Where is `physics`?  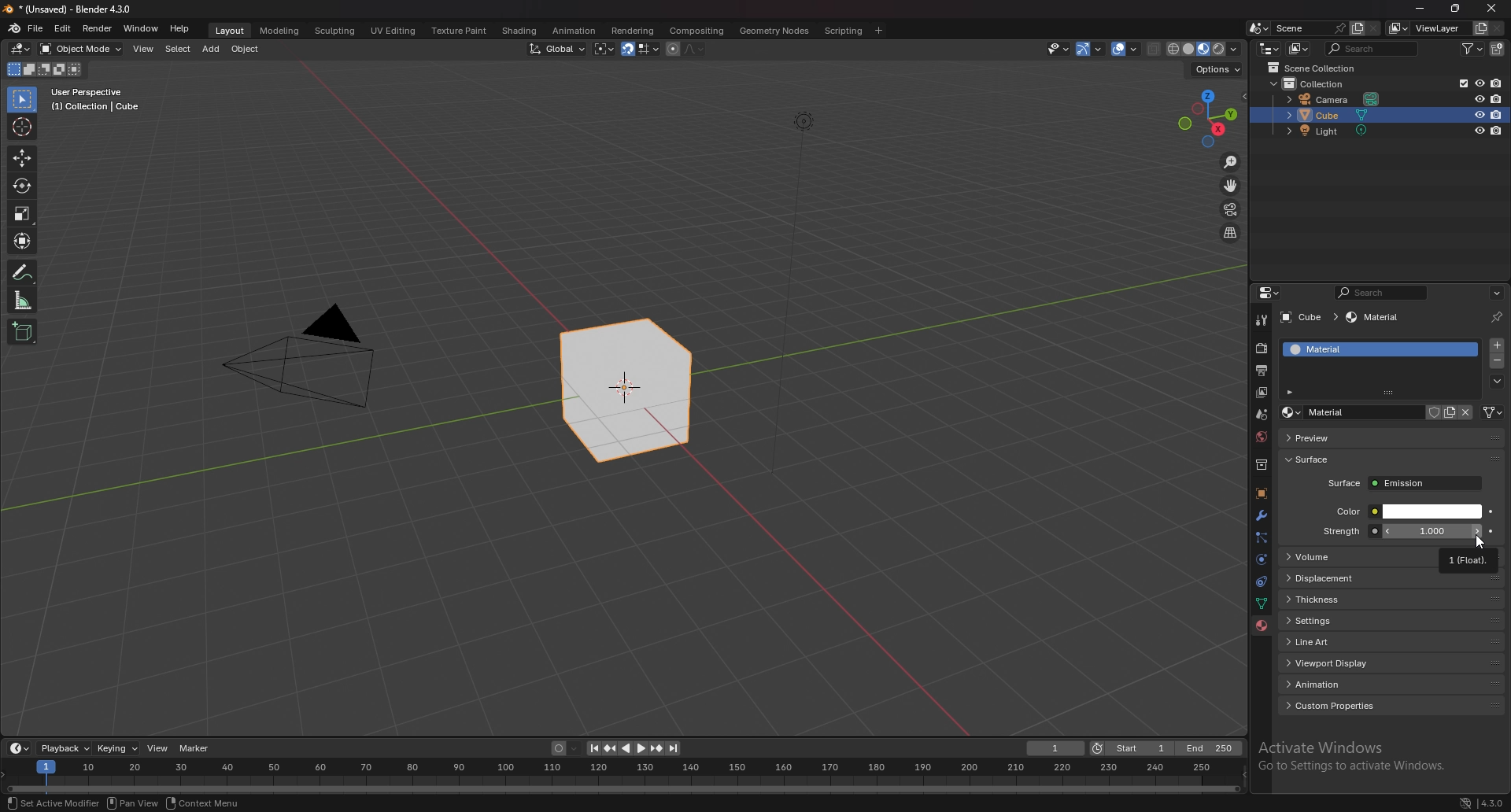
physics is located at coordinates (1261, 560).